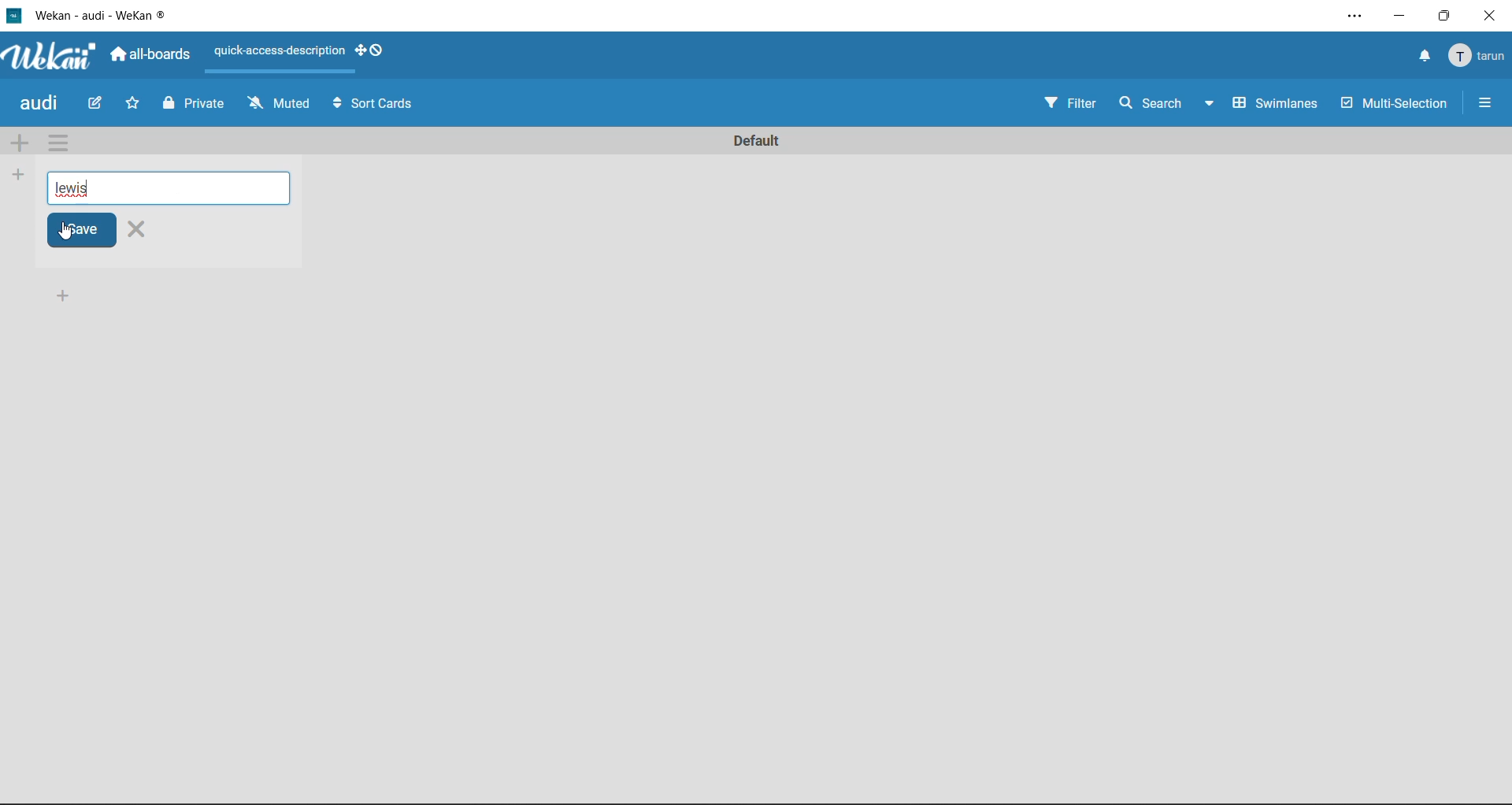  Describe the element at coordinates (42, 104) in the screenshot. I see `audi` at that location.